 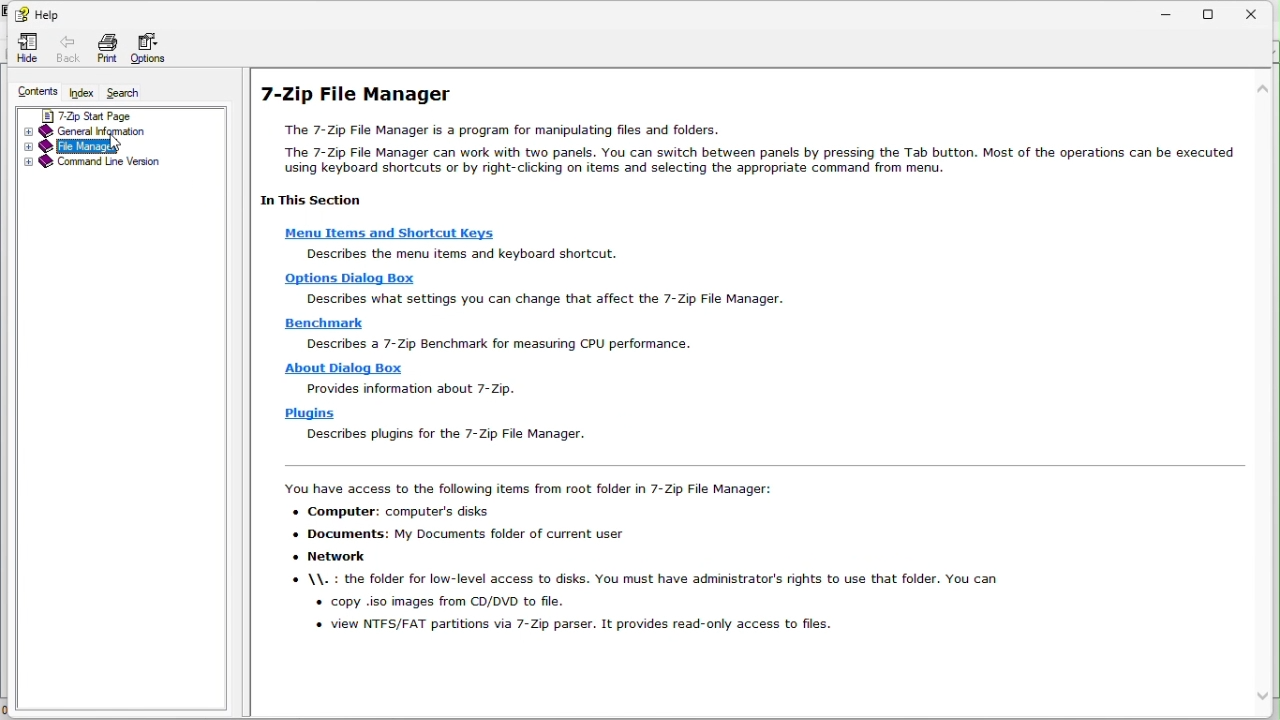 What do you see at coordinates (111, 146) in the screenshot?
I see `cursor` at bounding box center [111, 146].